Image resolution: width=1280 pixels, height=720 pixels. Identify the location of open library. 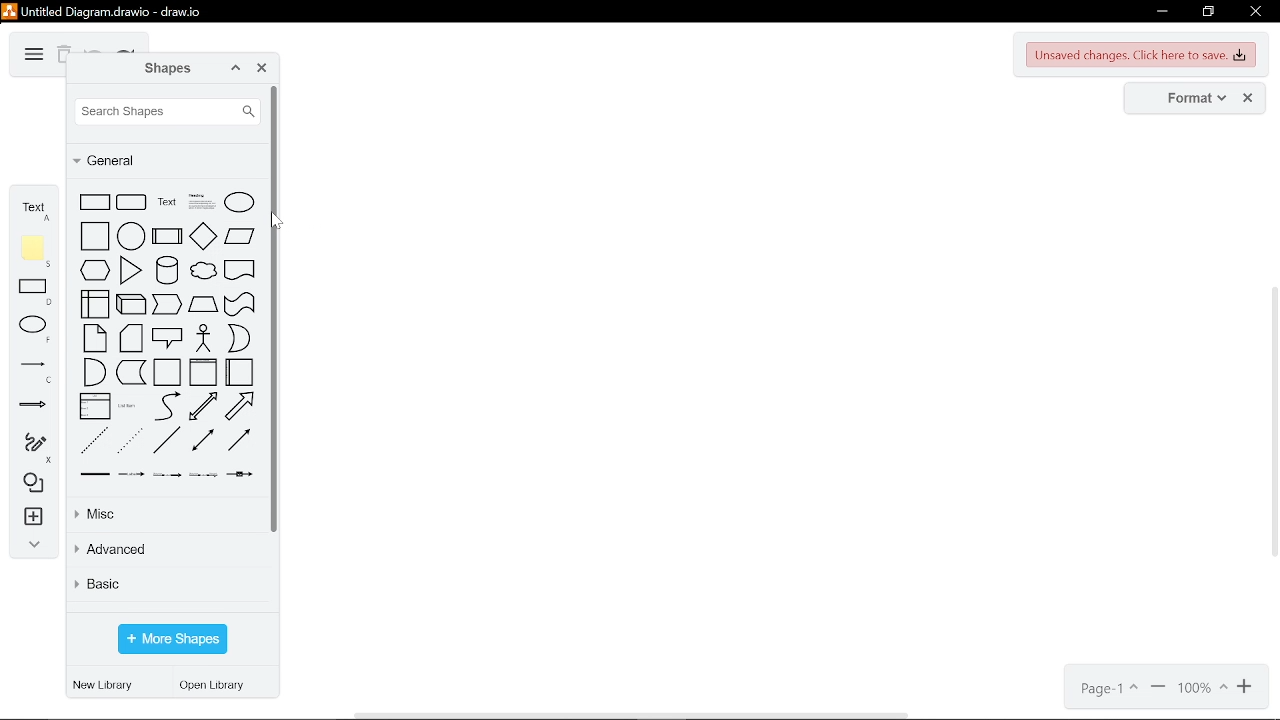
(217, 687).